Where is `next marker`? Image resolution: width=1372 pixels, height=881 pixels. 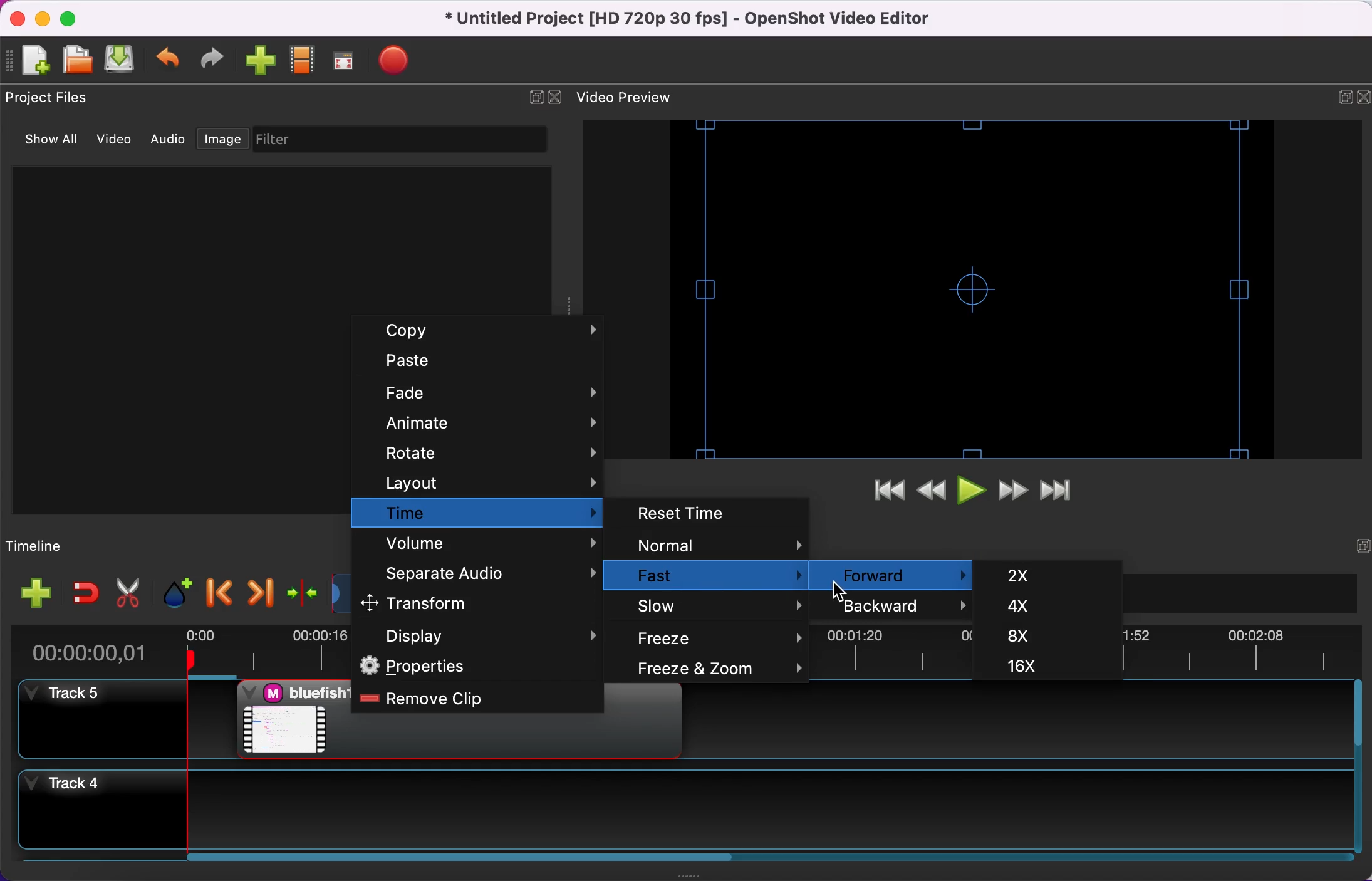
next marker is located at coordinates (261, 594).